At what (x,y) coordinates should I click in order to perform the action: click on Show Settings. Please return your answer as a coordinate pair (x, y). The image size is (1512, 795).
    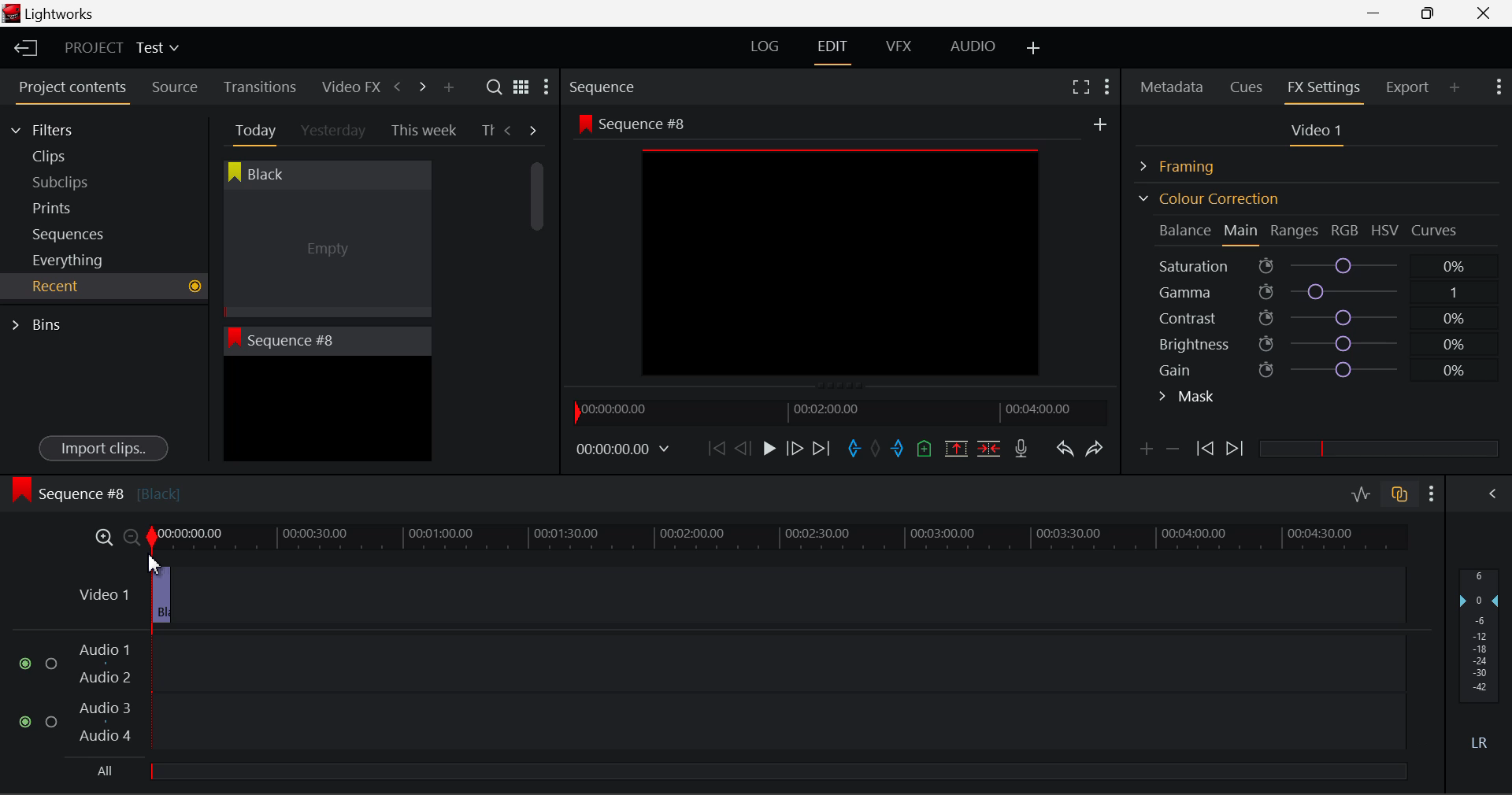
    Looking at the image, I should click on (1106, 84).